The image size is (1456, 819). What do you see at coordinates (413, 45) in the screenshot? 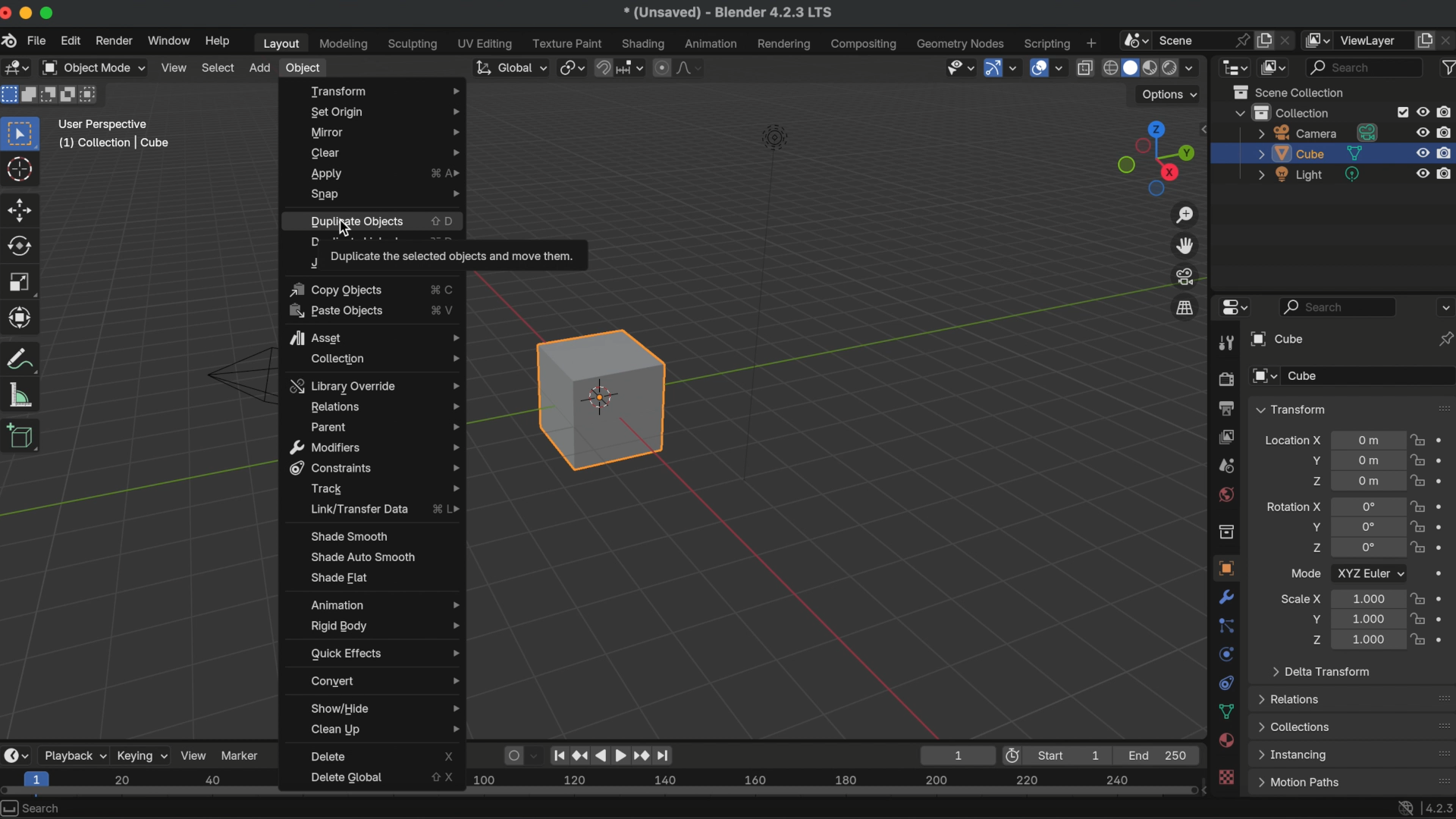
I see `sculpting` at bounding box center [413, 45].